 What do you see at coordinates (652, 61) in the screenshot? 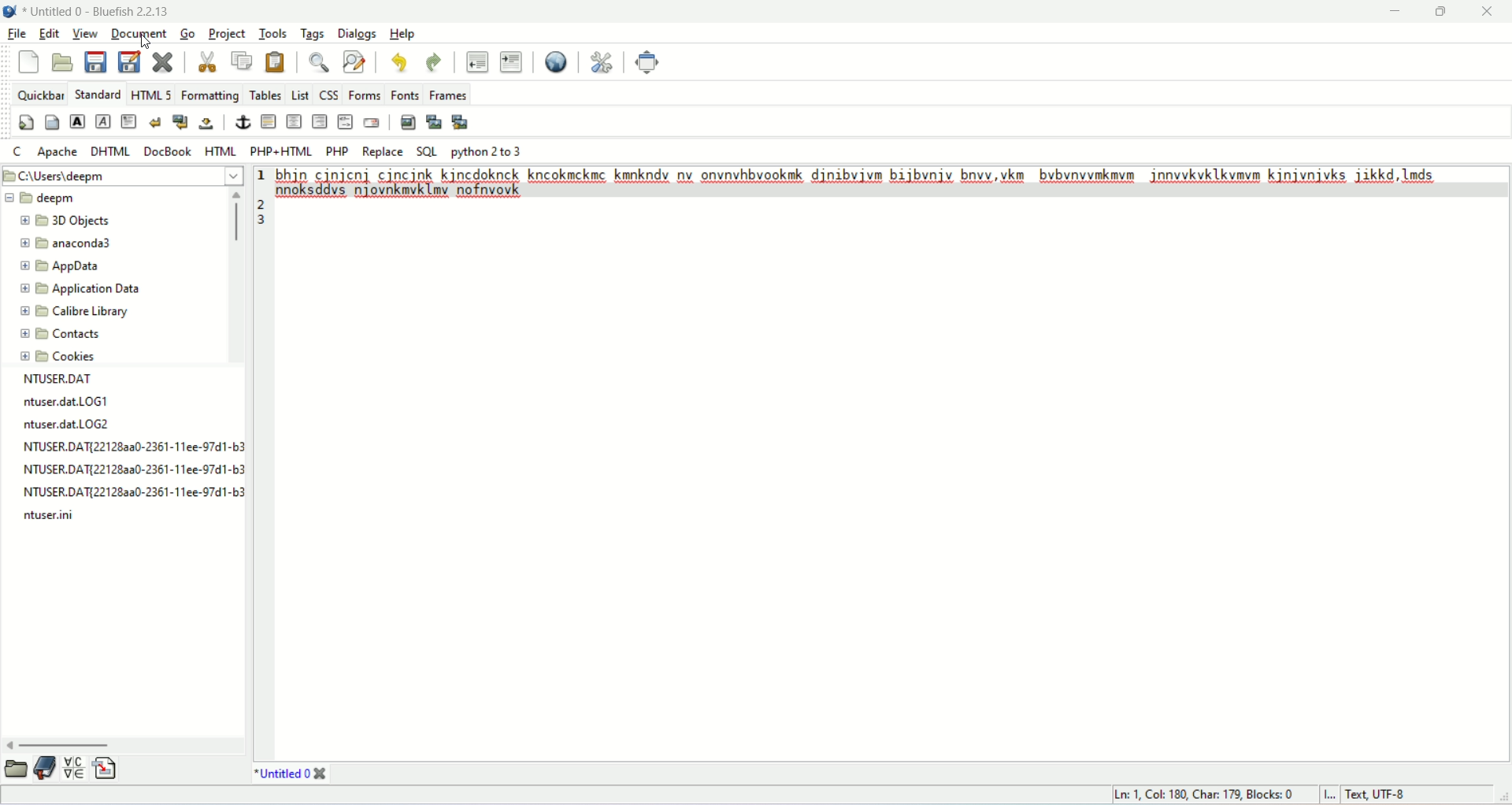
I see `fullscreen` at bounding box center [652, 61].